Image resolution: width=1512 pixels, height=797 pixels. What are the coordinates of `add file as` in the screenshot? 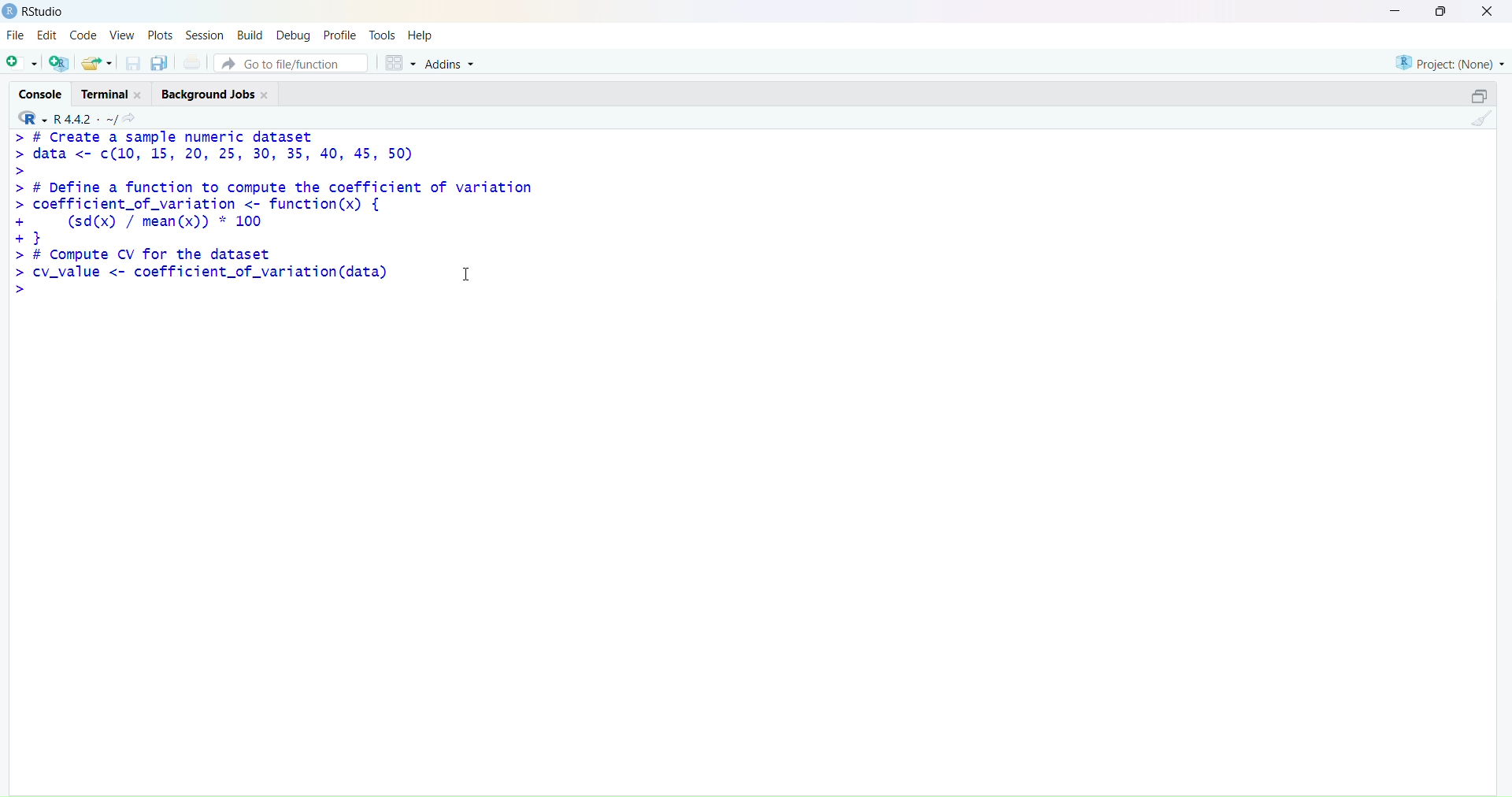 It's located at (22, 64).